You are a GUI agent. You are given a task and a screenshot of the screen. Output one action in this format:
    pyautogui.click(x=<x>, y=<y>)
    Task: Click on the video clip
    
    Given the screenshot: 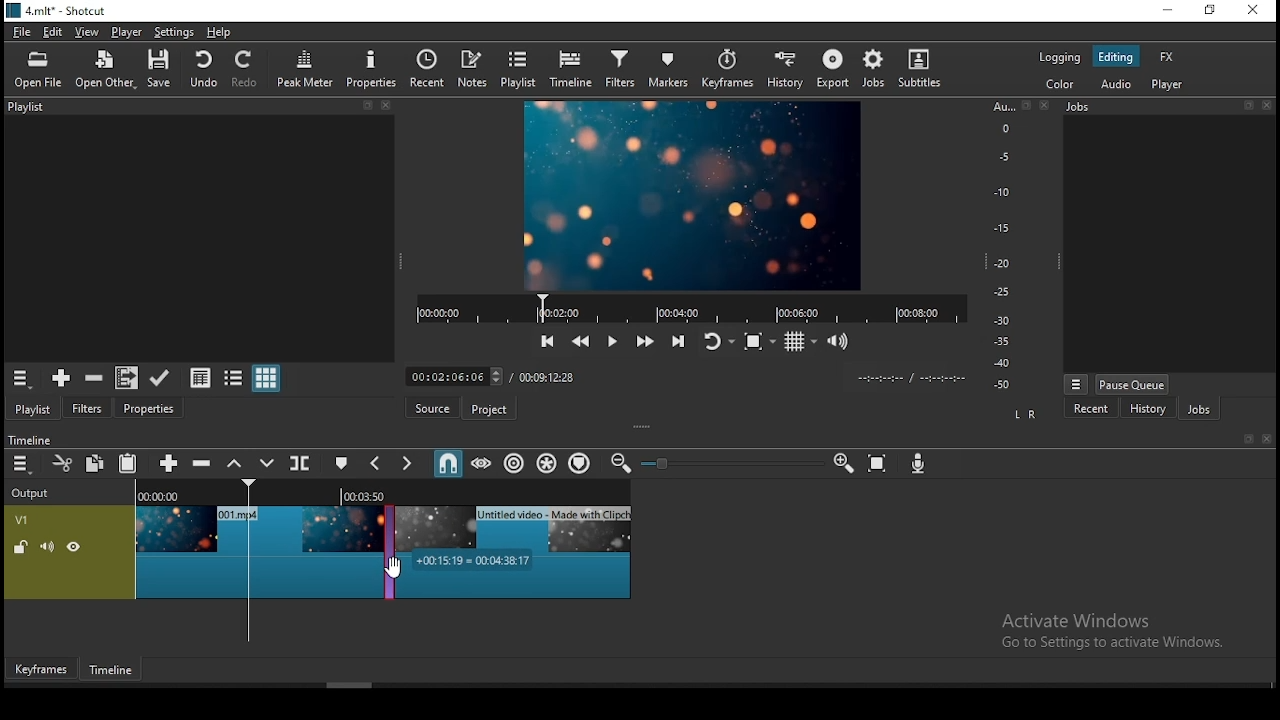 What is the action you would take?
    pyautogui.click(x=515, y=550)
    